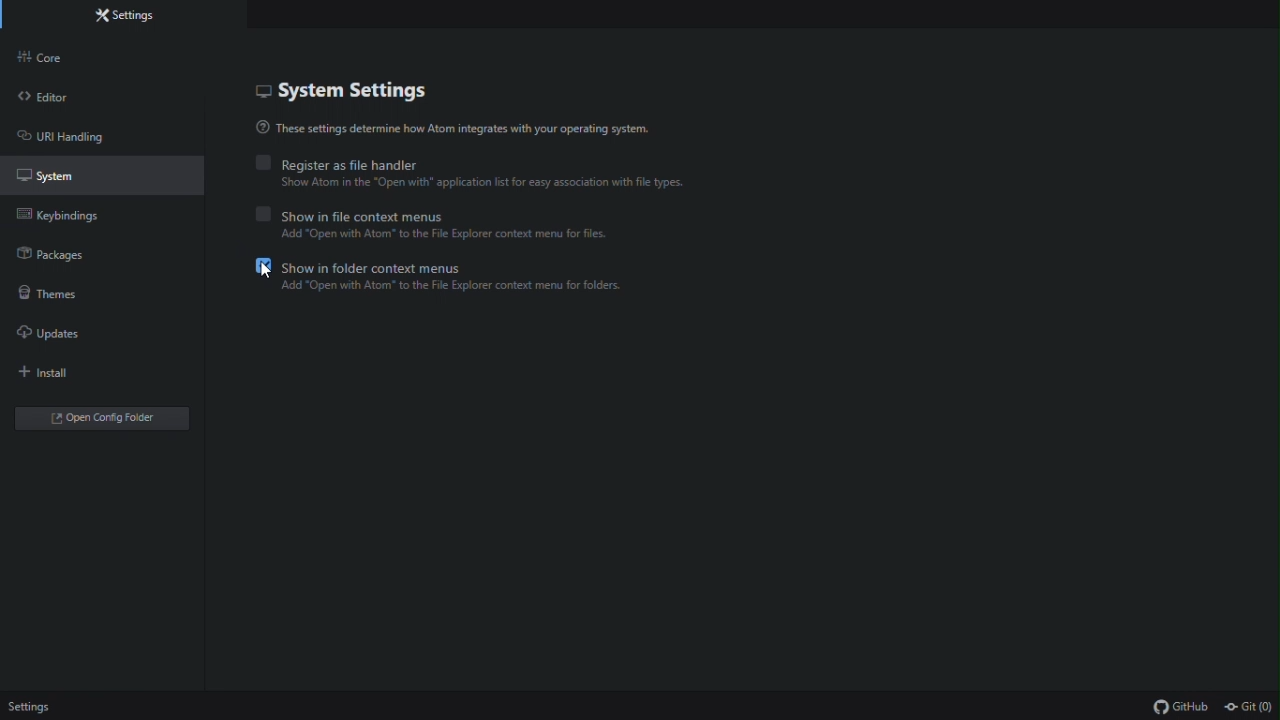  Describe the element at coordinates (496, 184) in the screenshot. I see `‘Show Atom in the “Open with" application list for easy association with file types.` at that location.